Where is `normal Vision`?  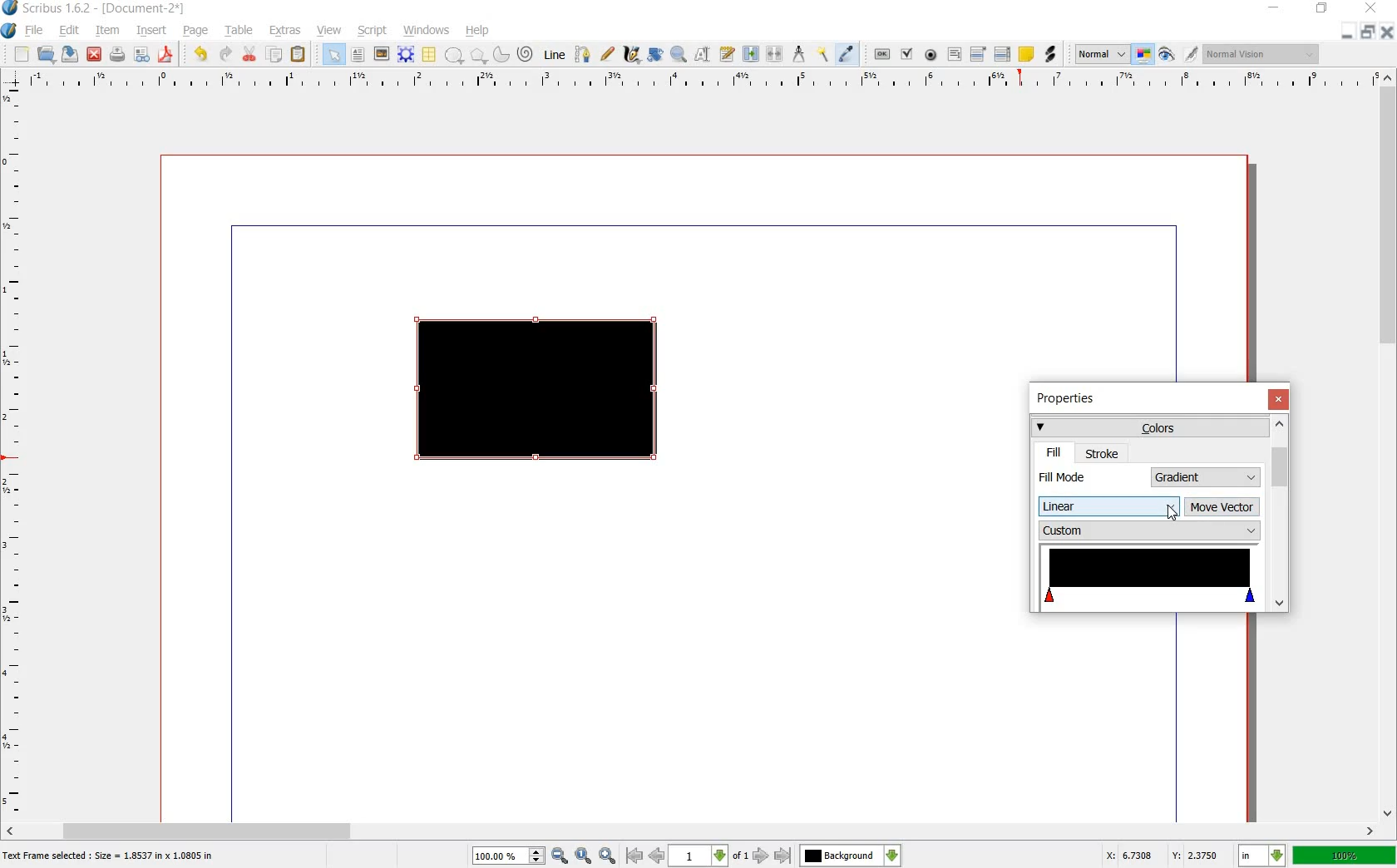
normal Vision is located at coordinates (1264, 53).